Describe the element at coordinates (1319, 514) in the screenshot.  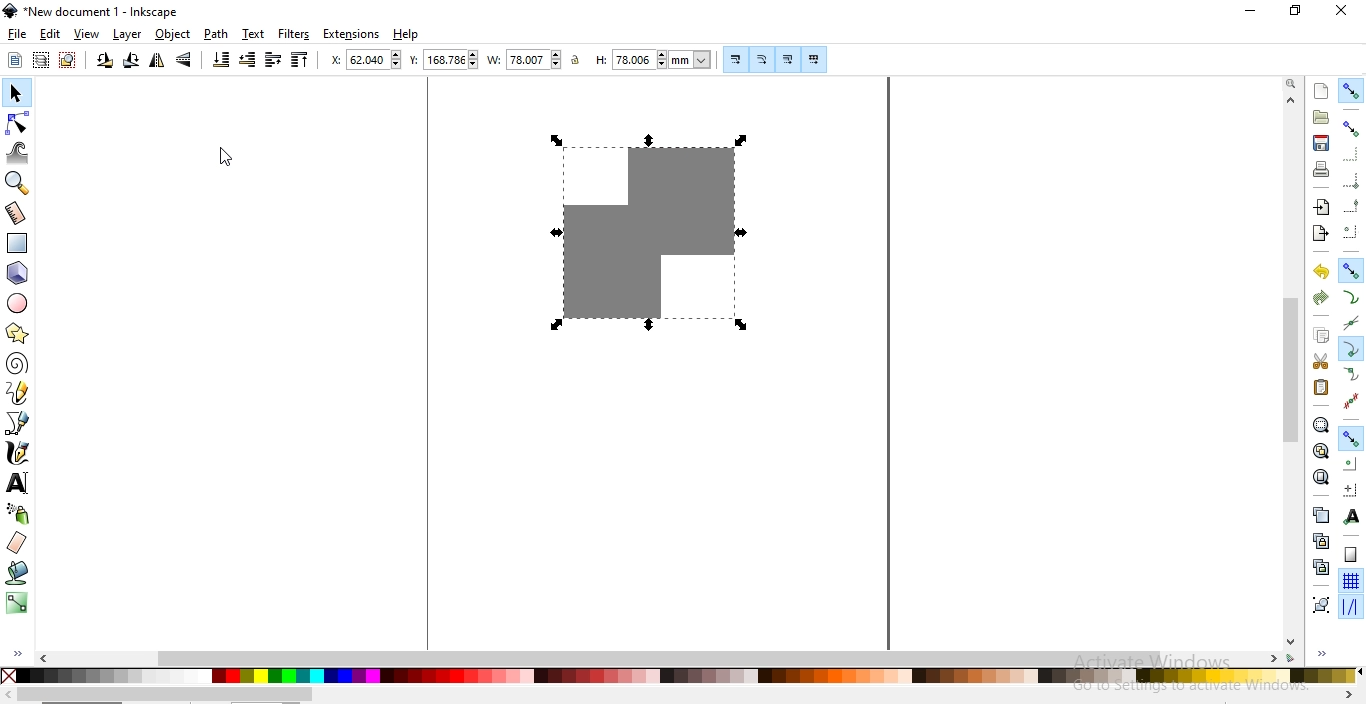
I see `create duplicate` at that location.